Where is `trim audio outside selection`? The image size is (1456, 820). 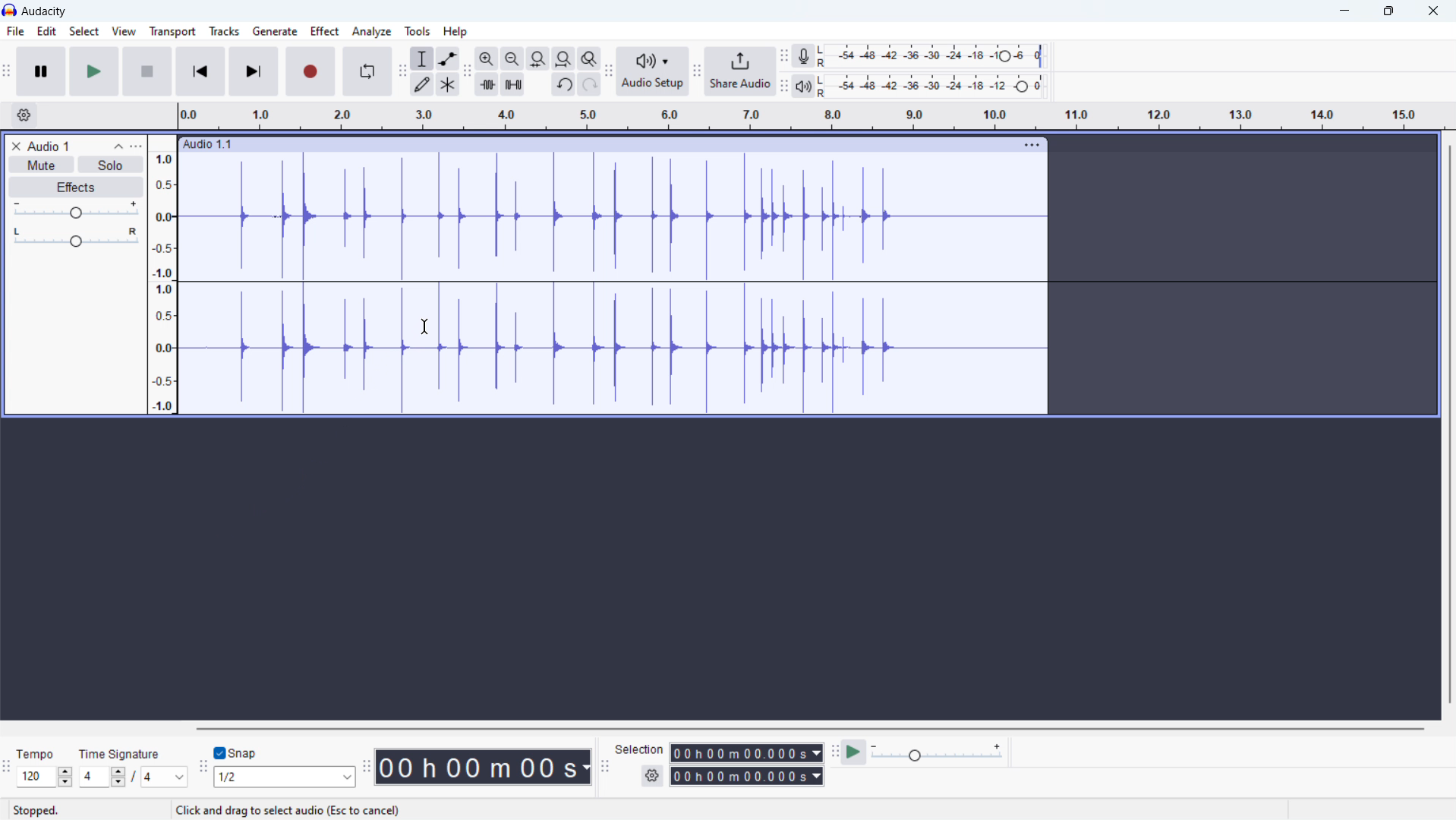 trim audio outside selection is located at coordinates (487, 84).